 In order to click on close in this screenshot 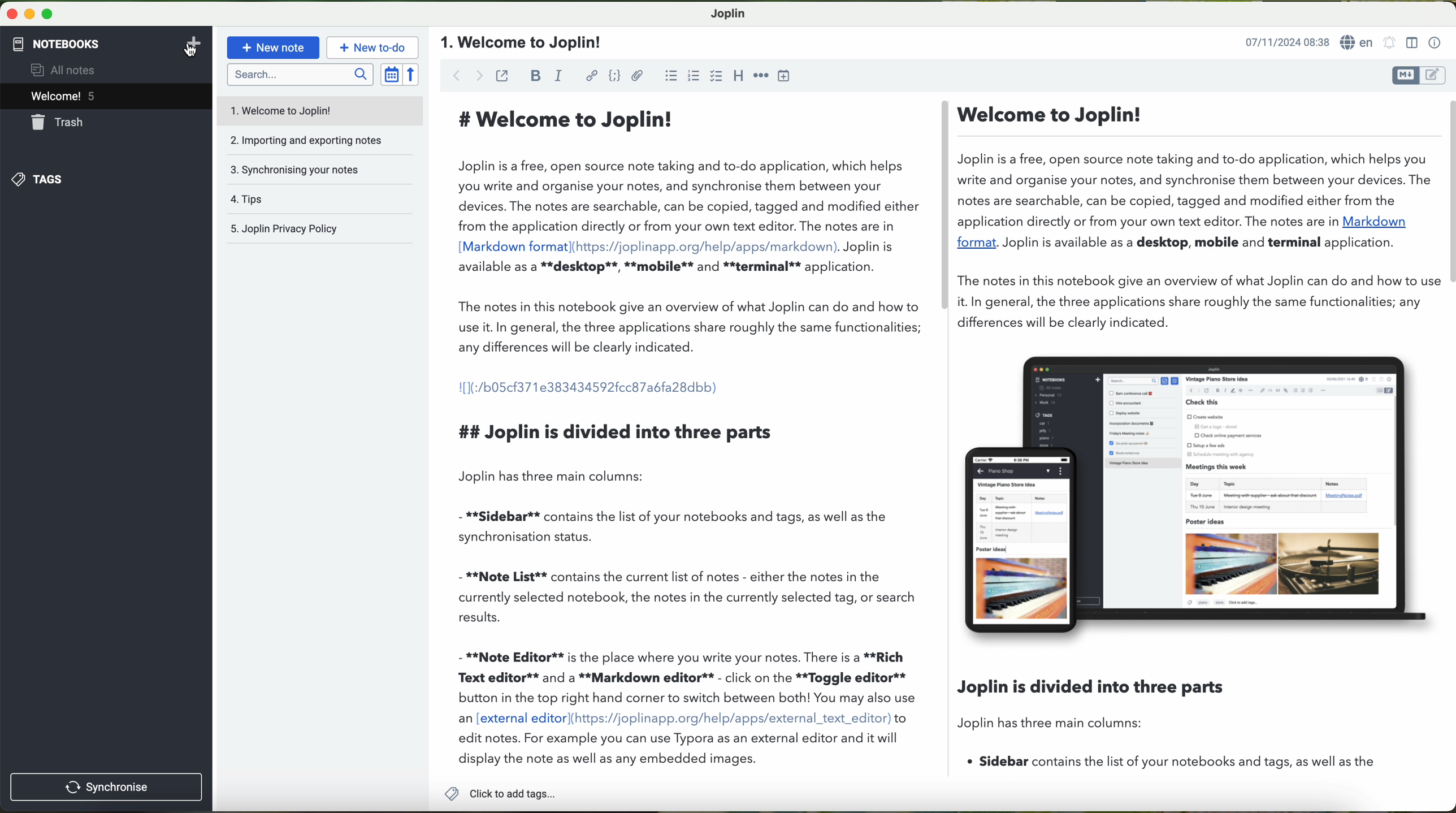, I will do `click(13, 14)`.